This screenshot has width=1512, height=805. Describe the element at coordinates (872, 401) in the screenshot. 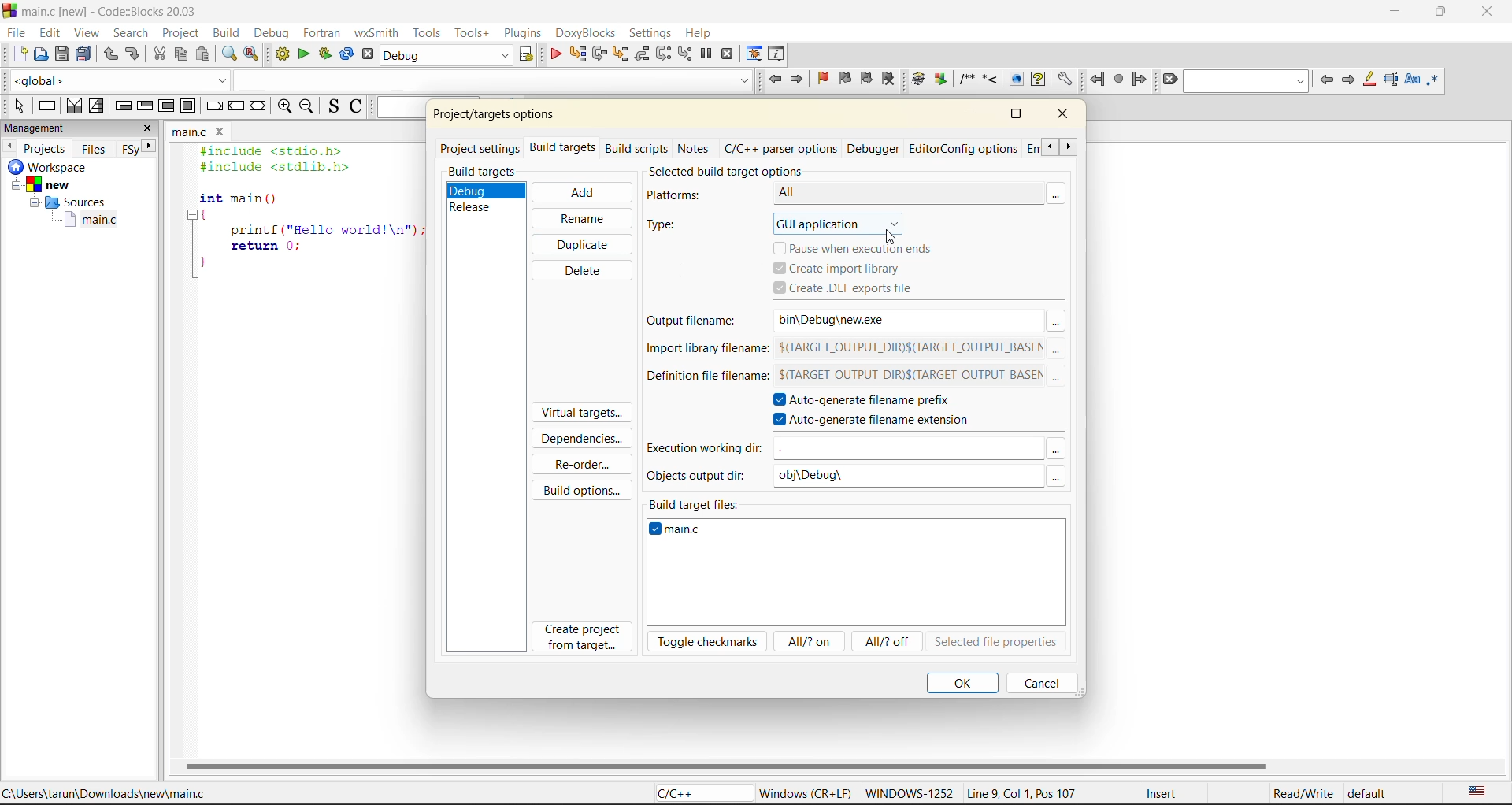

I see `autogenerate filename prefix` at that location.